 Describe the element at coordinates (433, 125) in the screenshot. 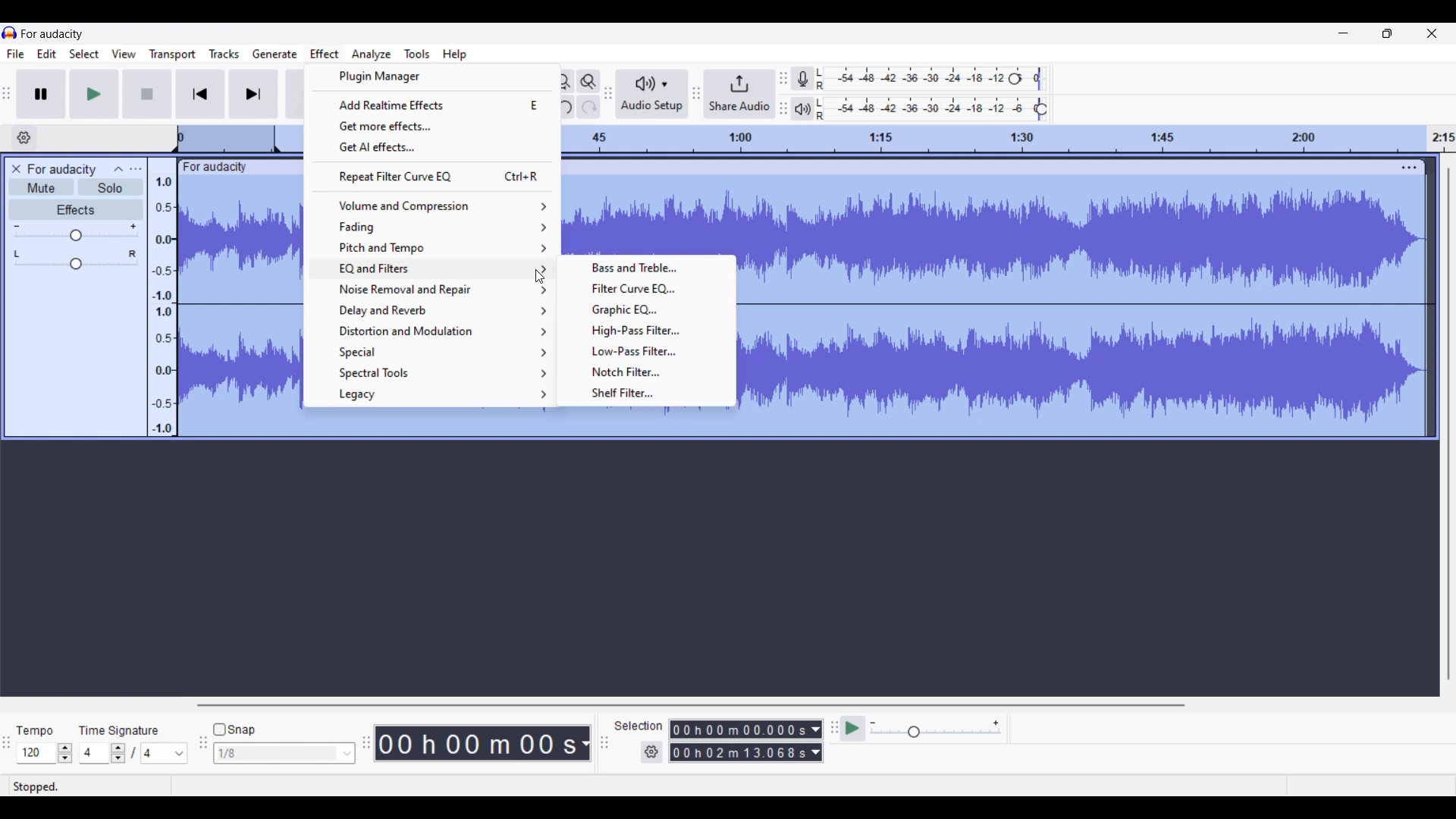

I see `Get more effects` at that location.